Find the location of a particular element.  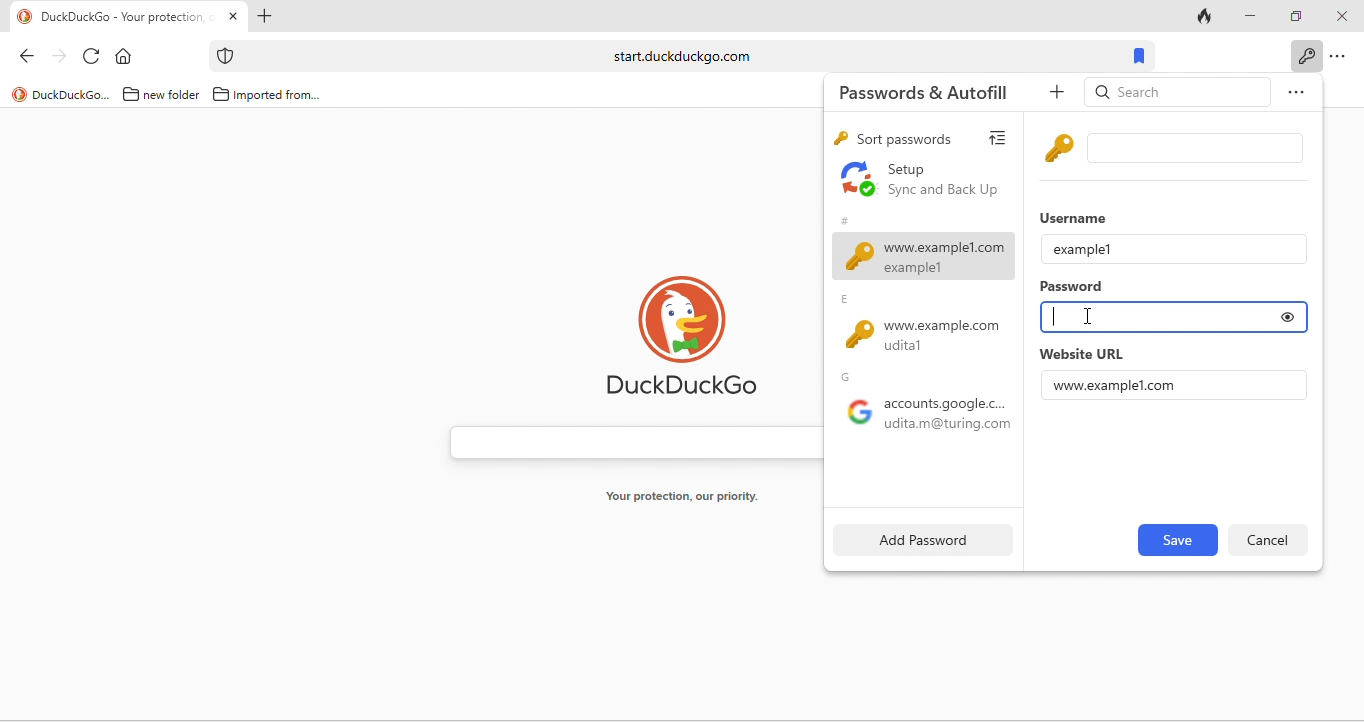

add new tab is located at coordinates (267, 16).